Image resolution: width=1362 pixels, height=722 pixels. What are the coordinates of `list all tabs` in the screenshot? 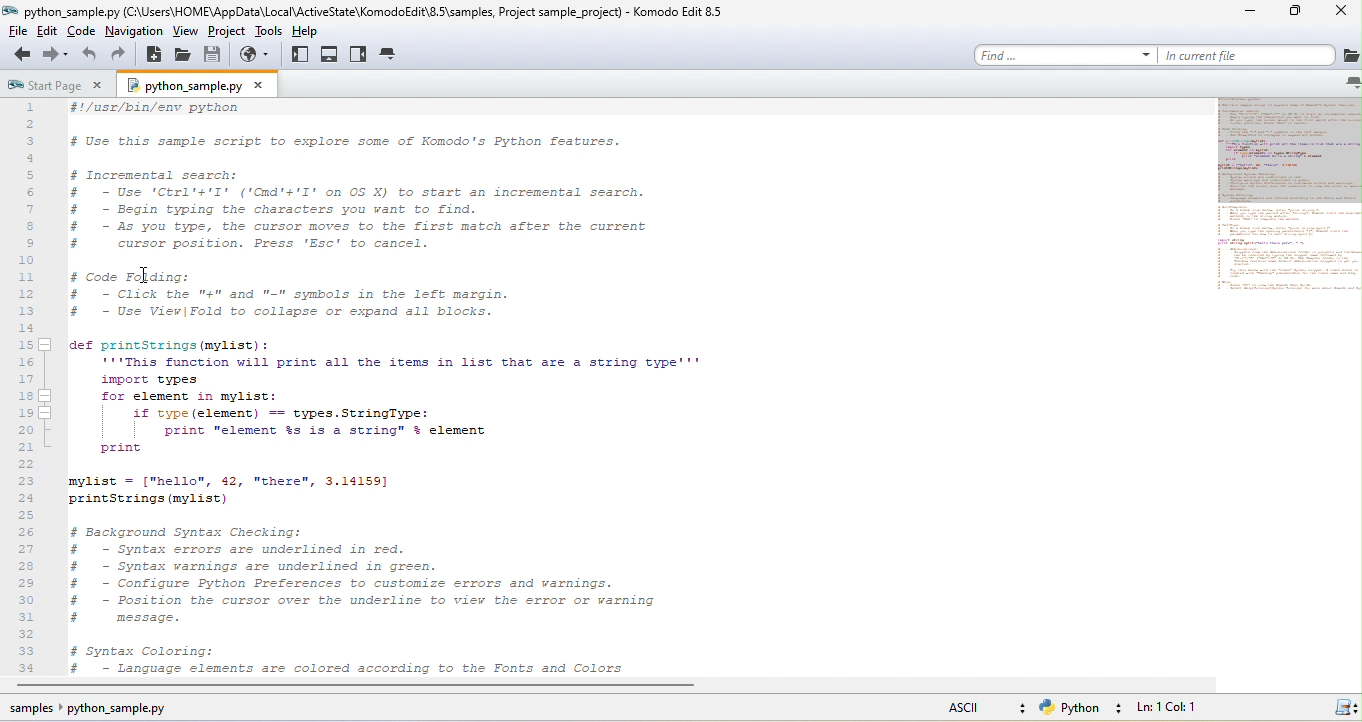 It's located at (1348, 82).